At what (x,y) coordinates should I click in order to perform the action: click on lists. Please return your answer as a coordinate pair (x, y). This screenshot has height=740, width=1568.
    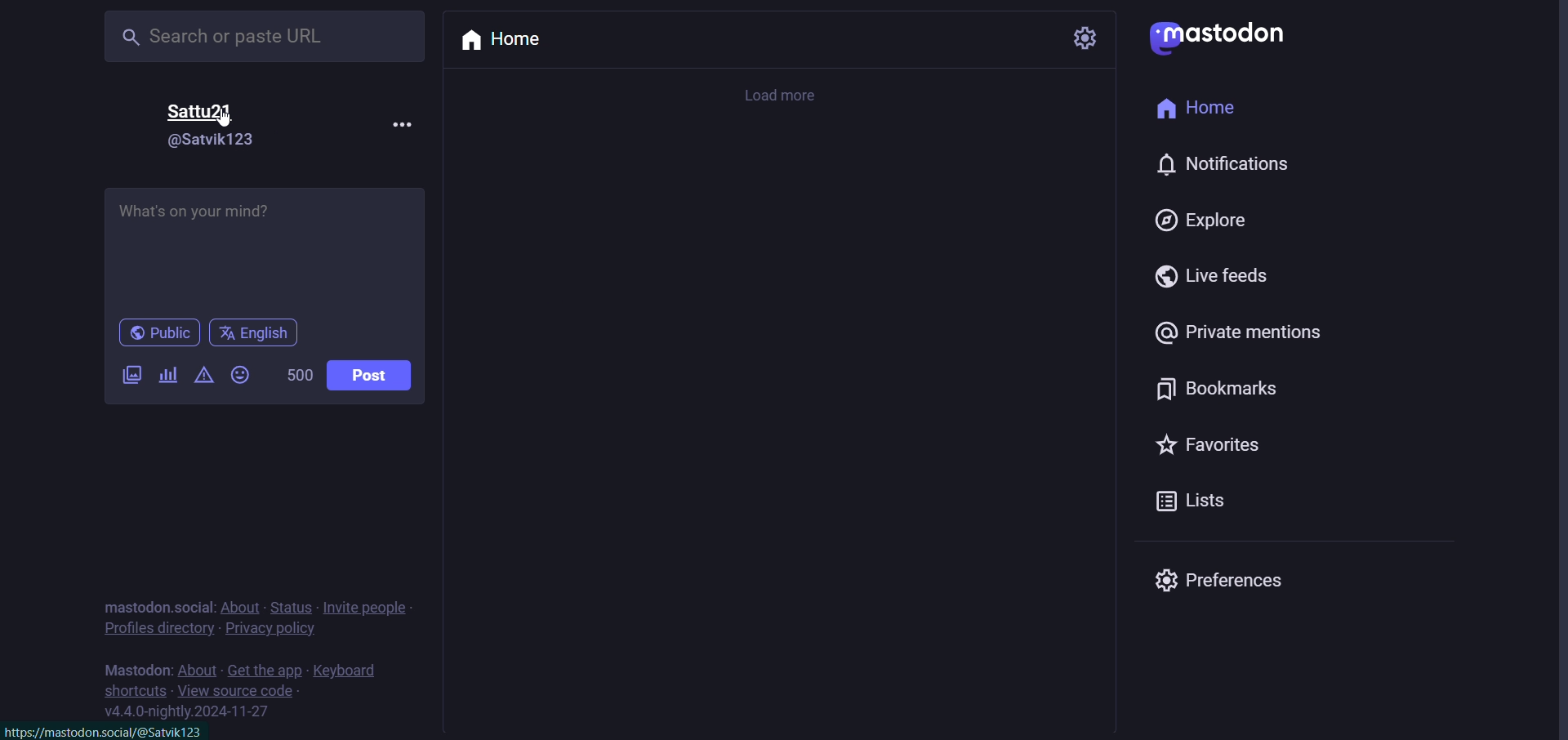
    Looking at the image, I should click on (1186, 504).